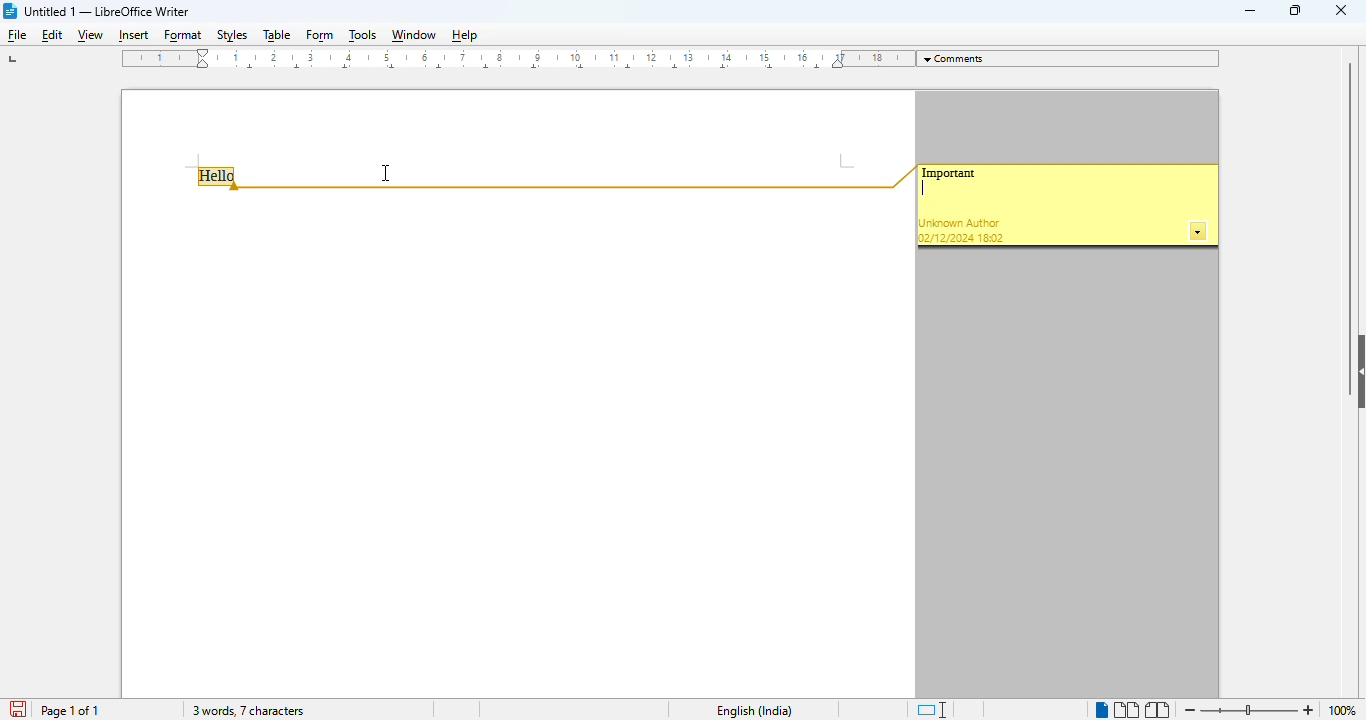  I want to click on format, so click(184, 37).